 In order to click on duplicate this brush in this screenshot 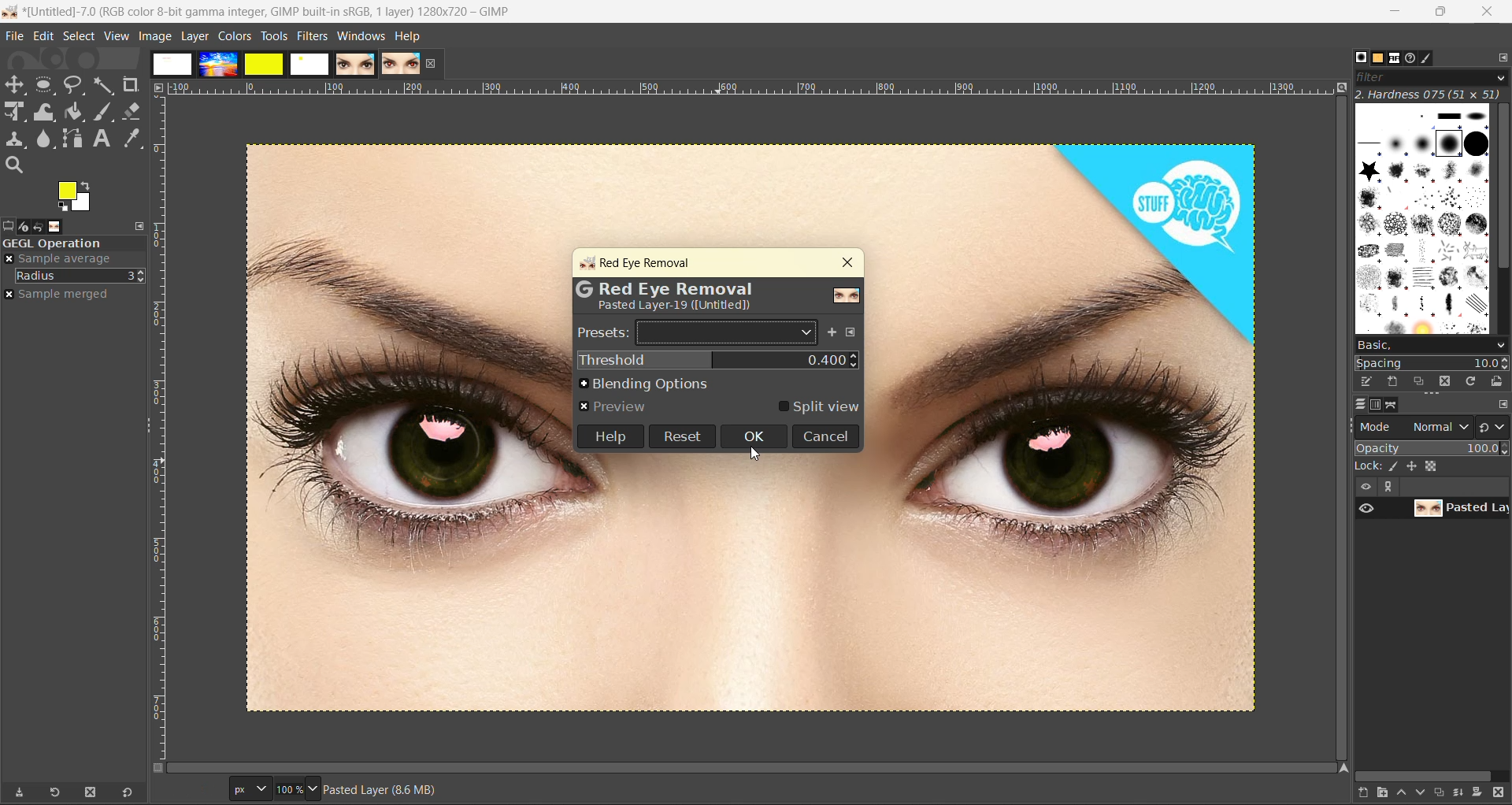, I will do `click(1417, 381)`.